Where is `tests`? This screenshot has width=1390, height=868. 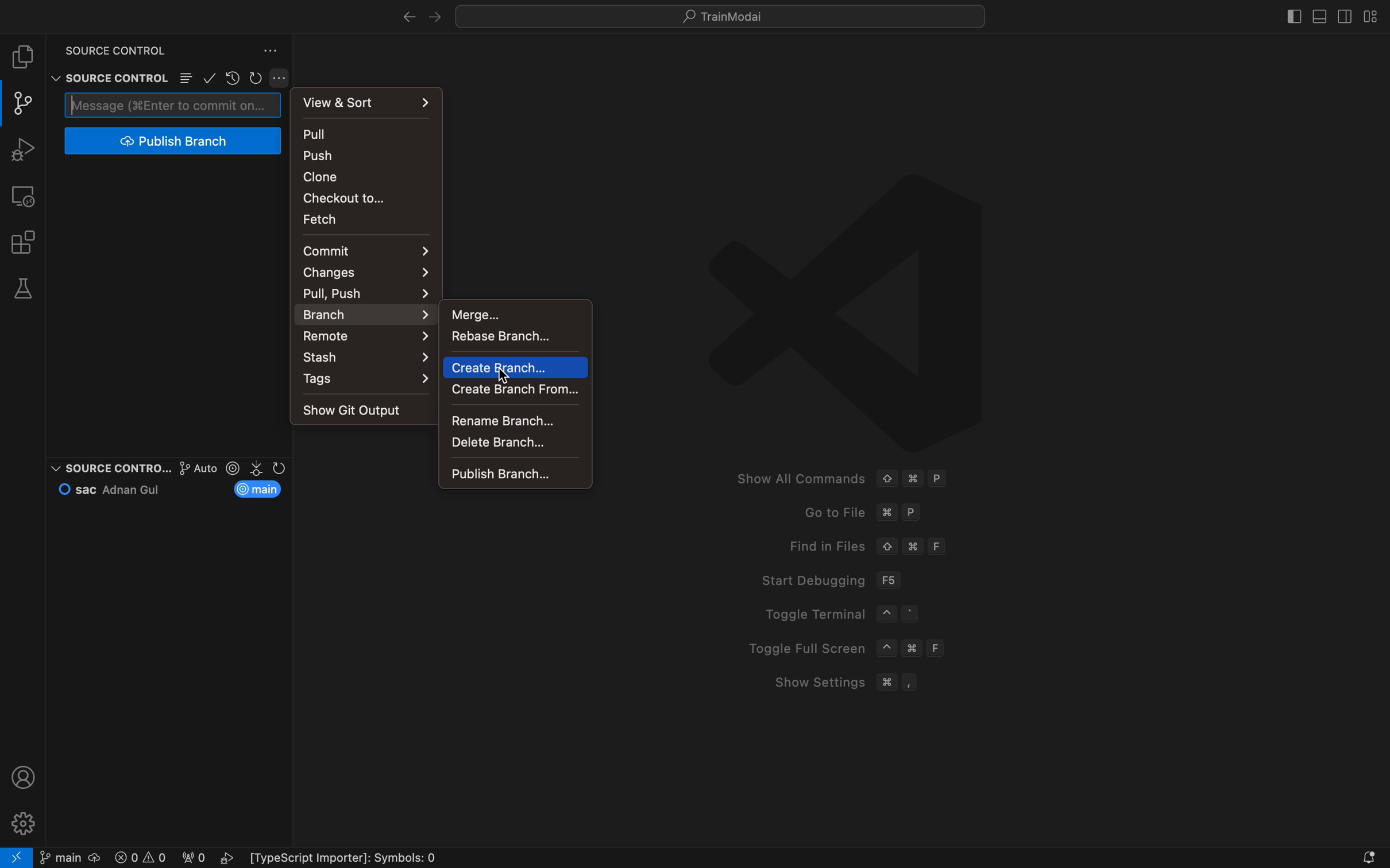
tests is located at coordinates (27, 289).